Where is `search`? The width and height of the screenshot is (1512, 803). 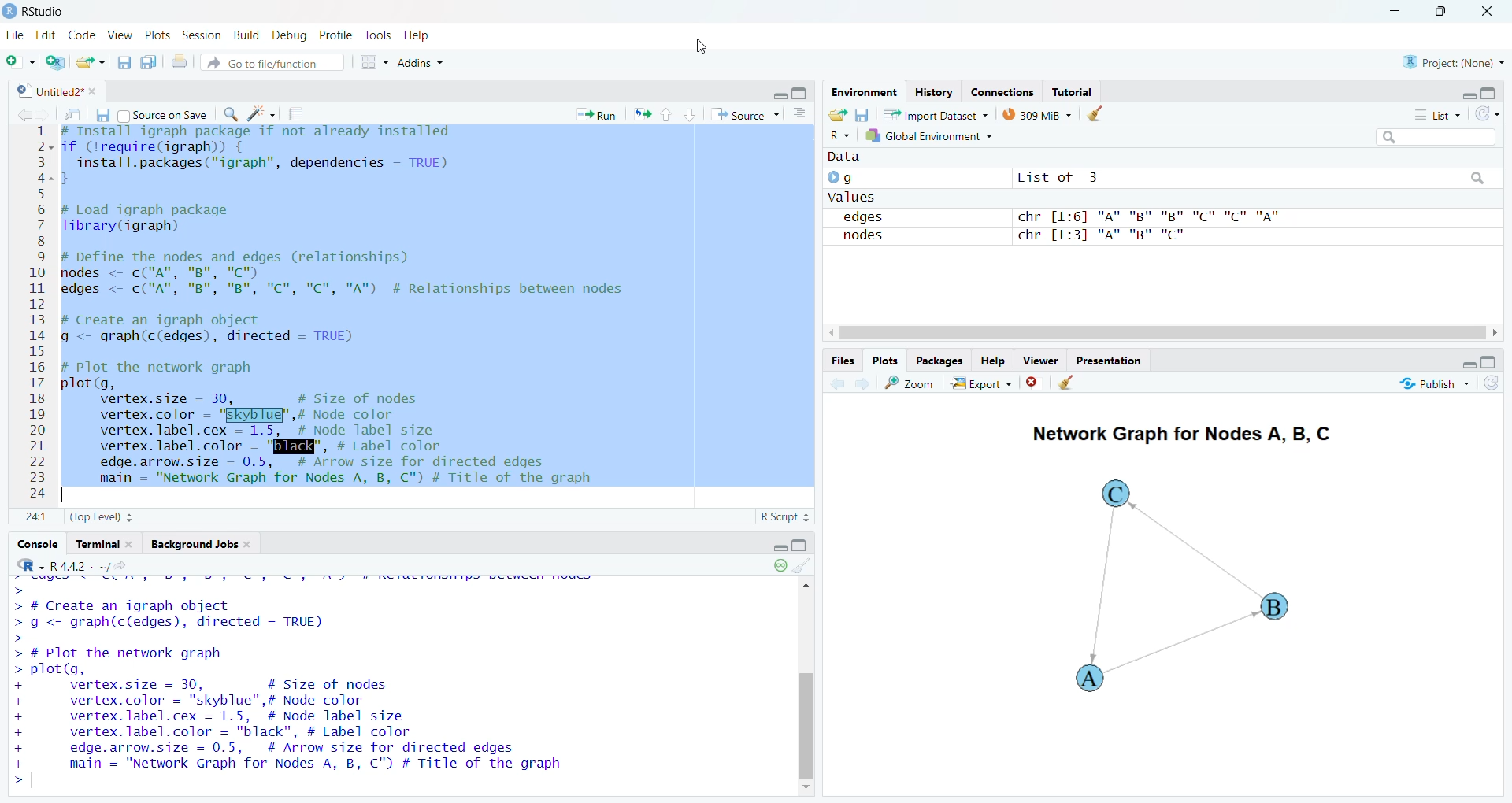 search is located at coordinates (1473, 179).